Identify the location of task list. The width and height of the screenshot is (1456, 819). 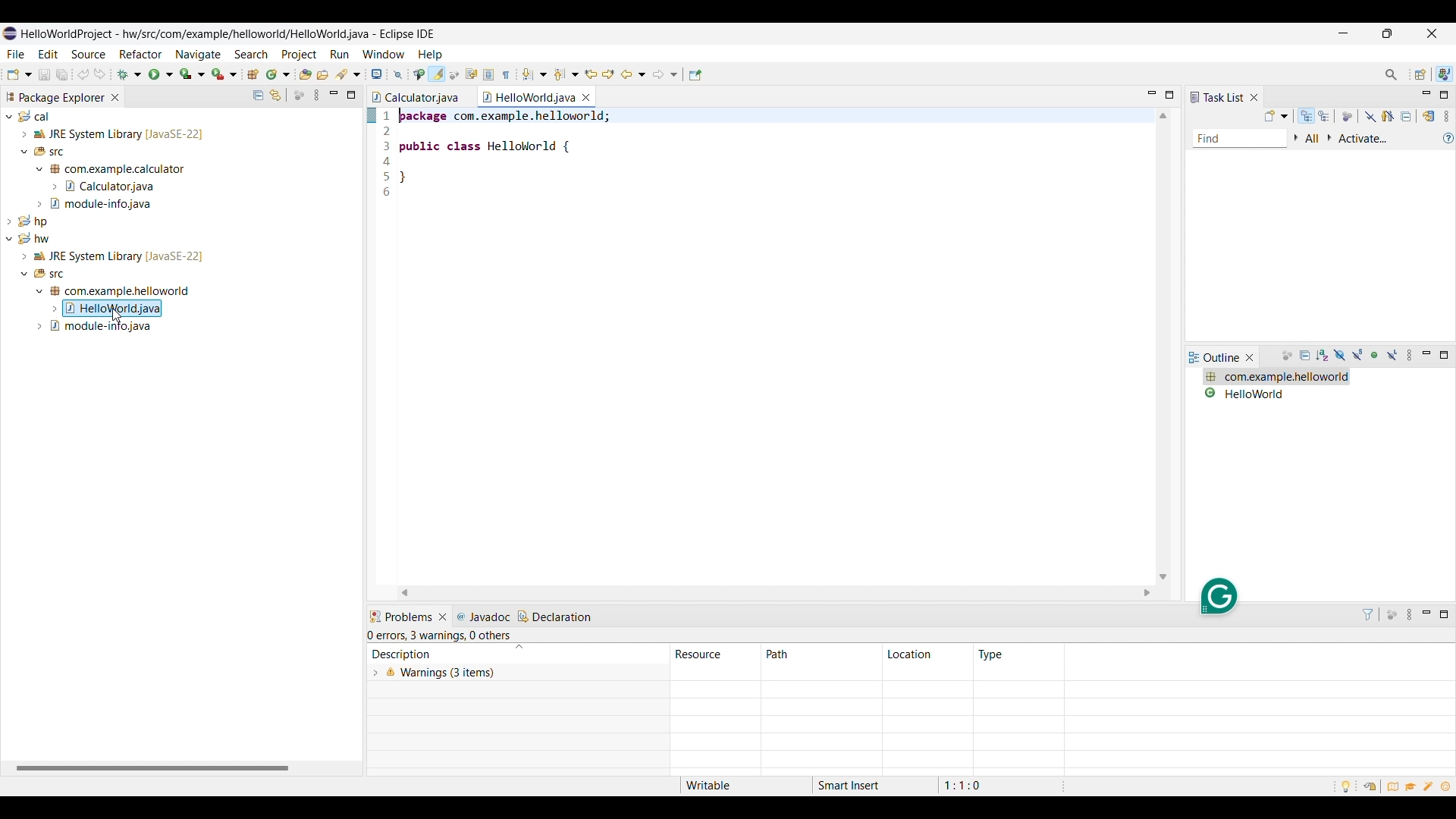
(1217, 97).